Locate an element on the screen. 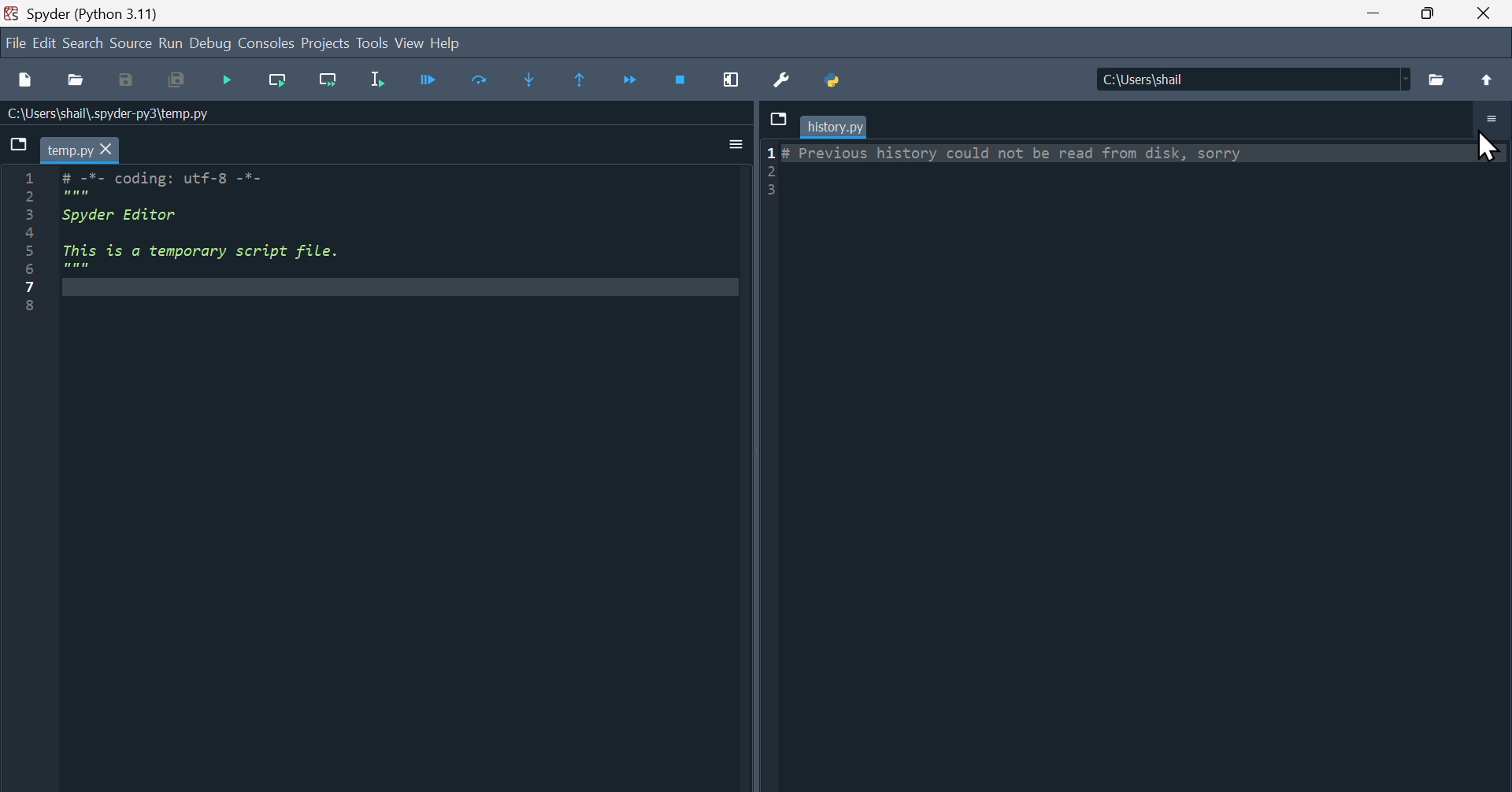 The width and height of the screenshot is (1512, 792). Spyder (Python 3.11) is located at coordinates (98, 13).